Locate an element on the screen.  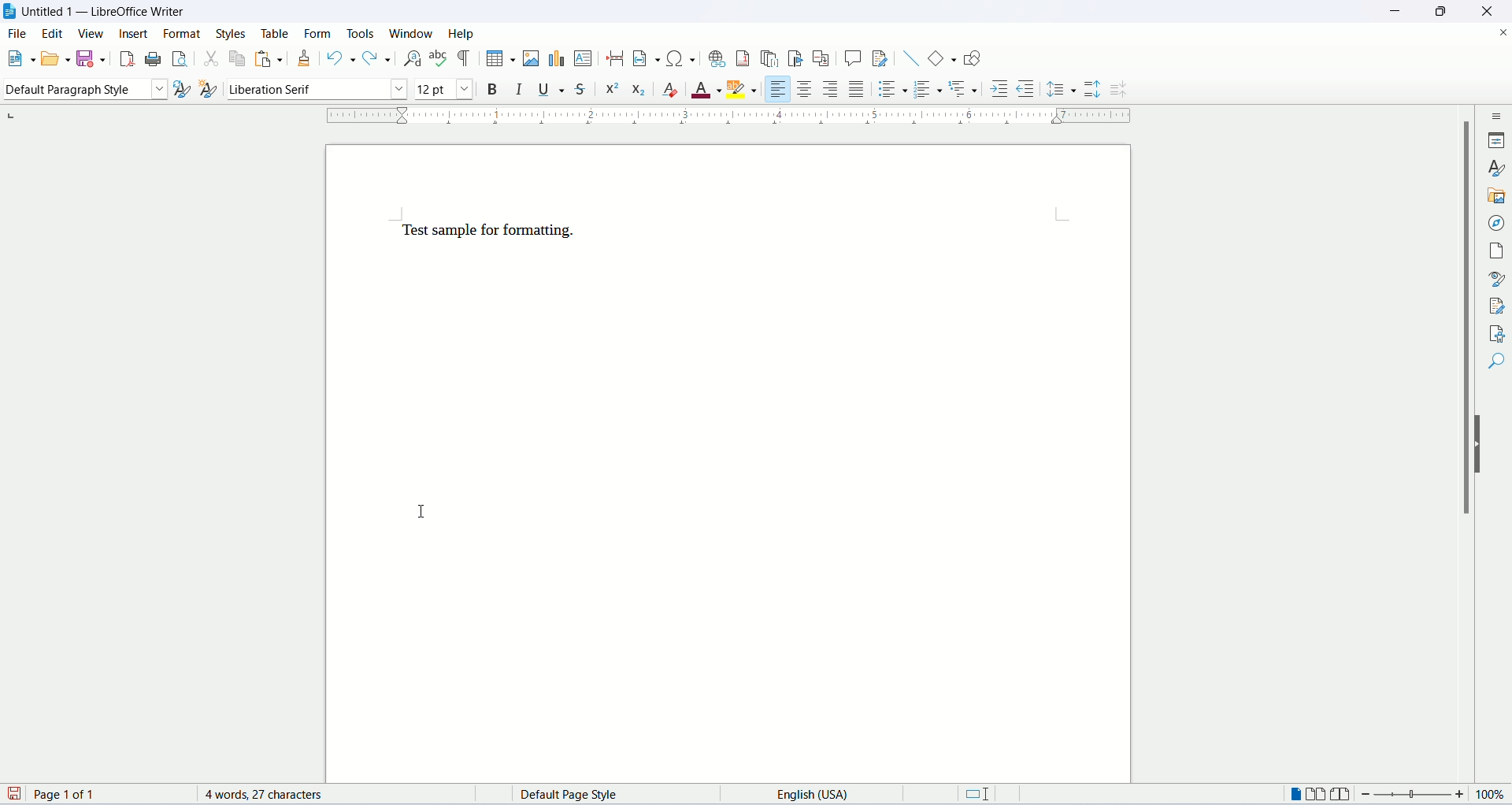
help is located at coordinates (461, 33).